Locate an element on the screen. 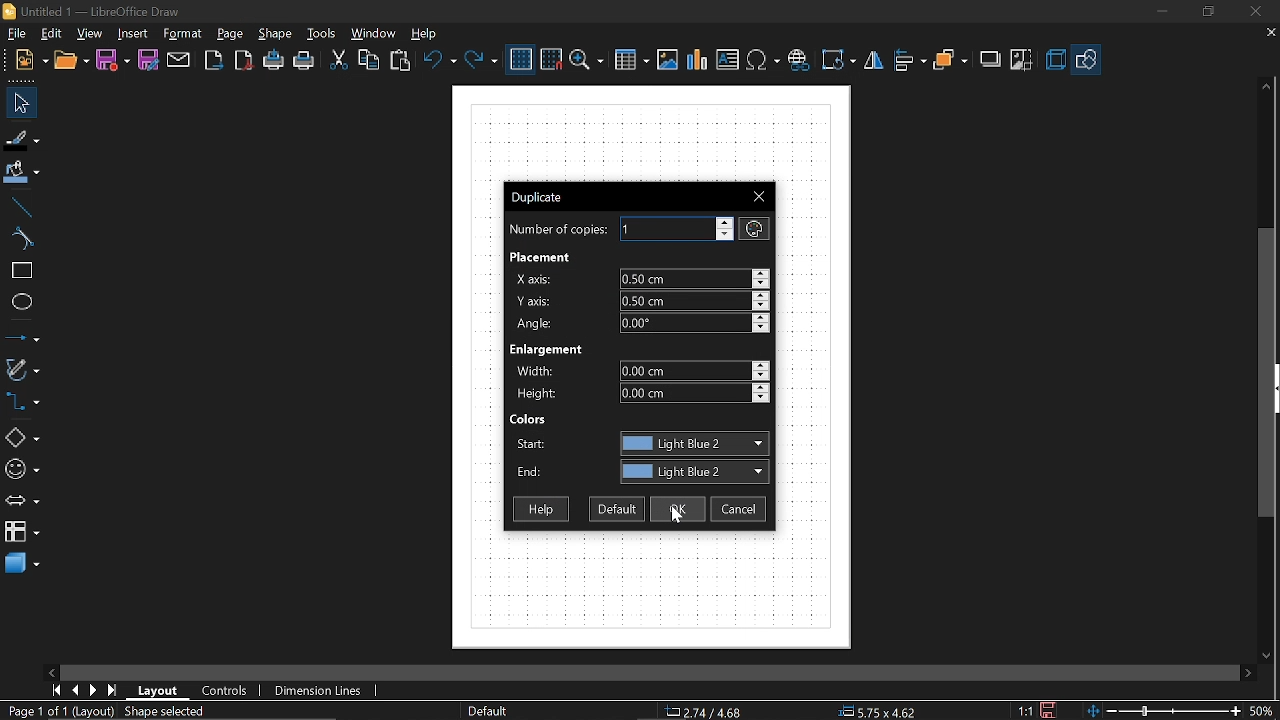  Symbol shapes is located at coordinates (23, 466).